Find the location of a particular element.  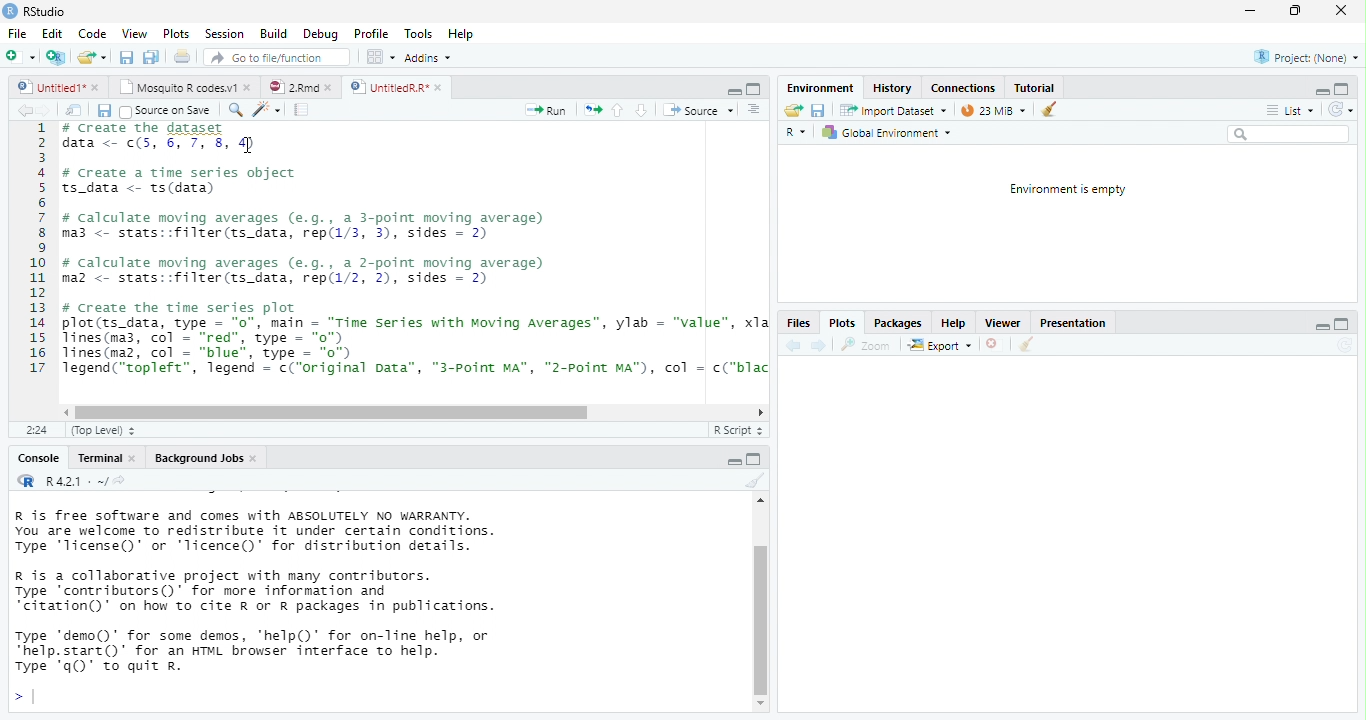

Presentation is located at coordinates (1071, 325).